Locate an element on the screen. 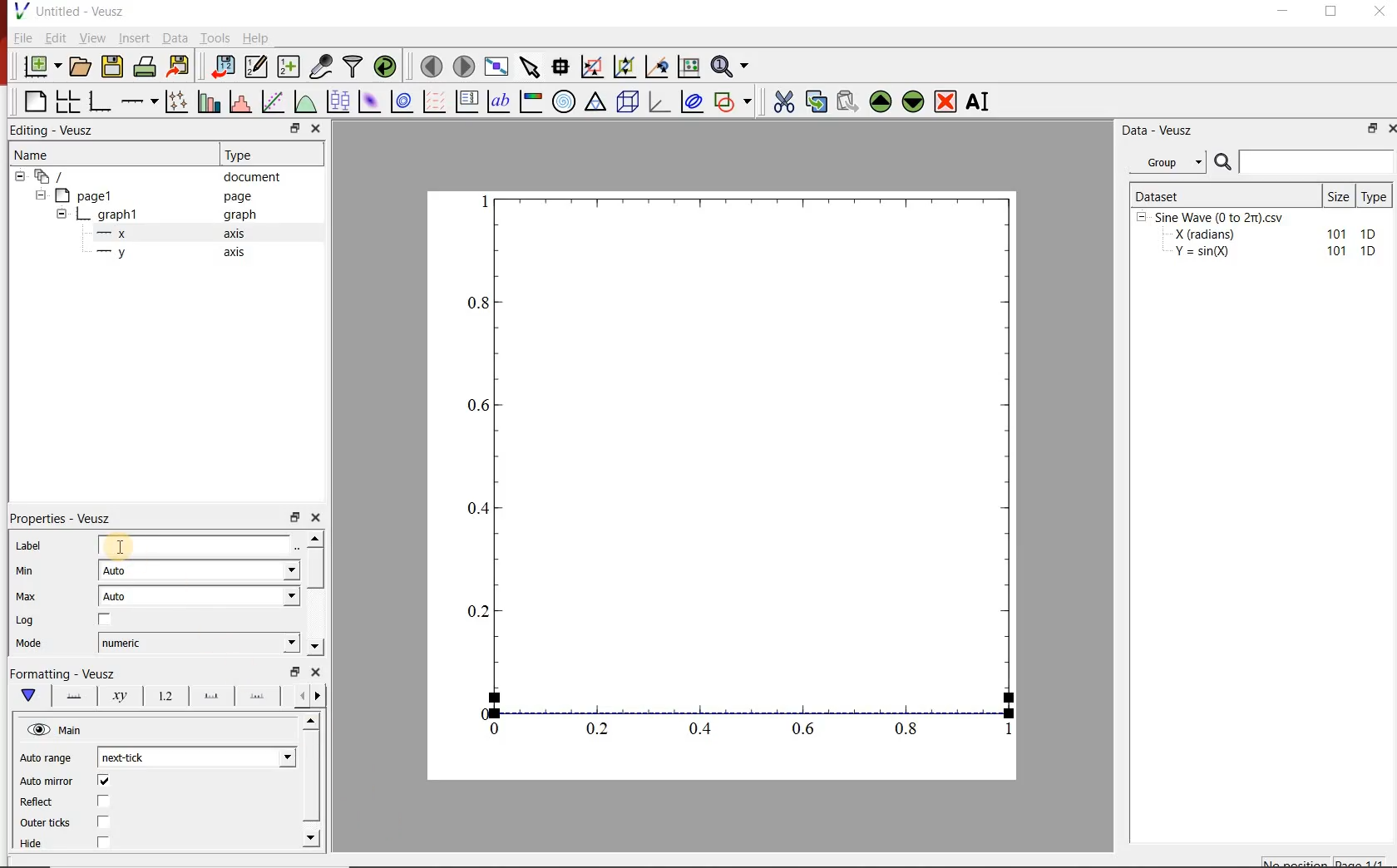  export to graphics is located at coordinates (180, 66).